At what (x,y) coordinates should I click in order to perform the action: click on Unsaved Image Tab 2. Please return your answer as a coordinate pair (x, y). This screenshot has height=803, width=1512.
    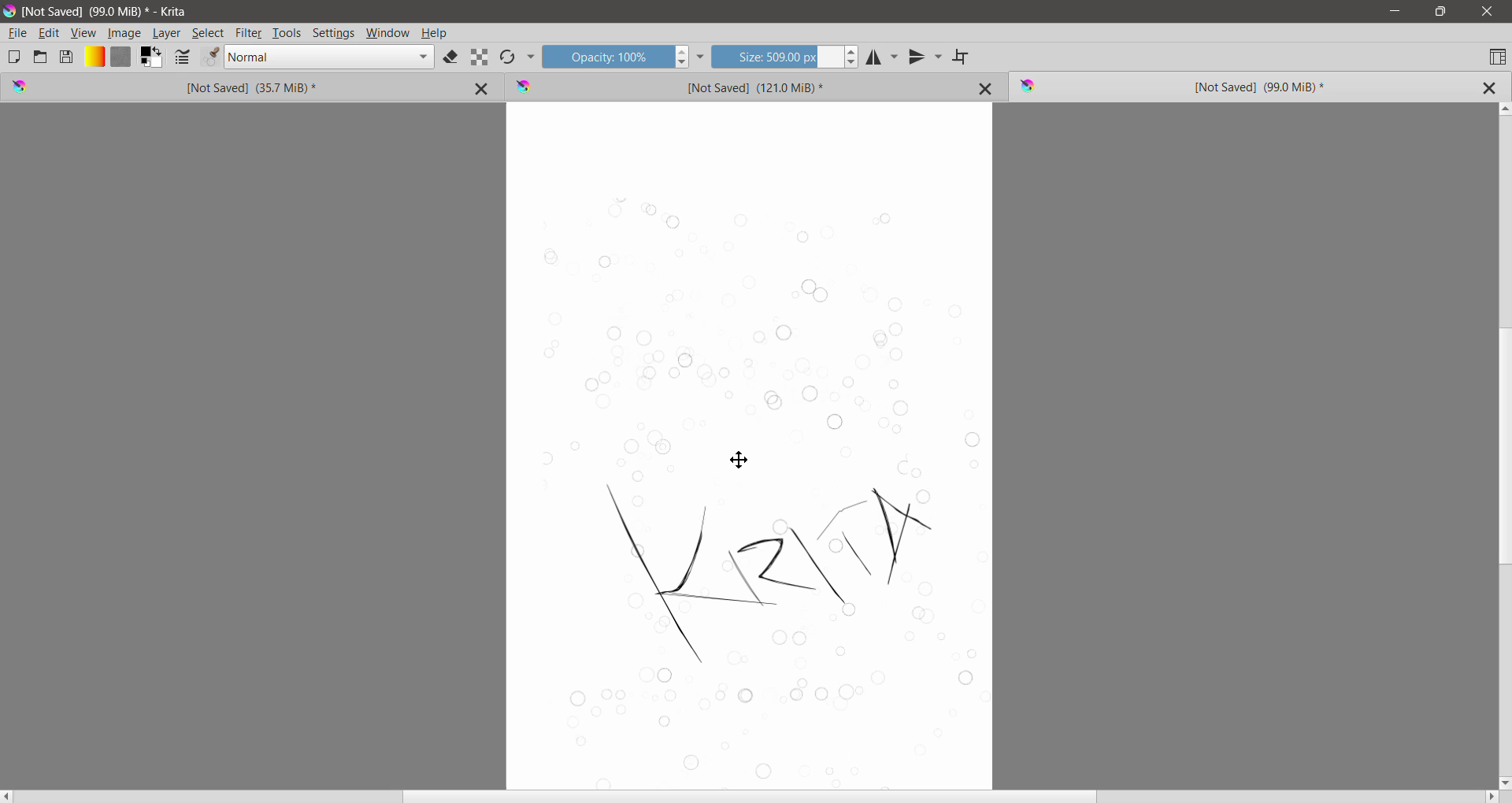
    Looking at the image, I should click on (730, 86).